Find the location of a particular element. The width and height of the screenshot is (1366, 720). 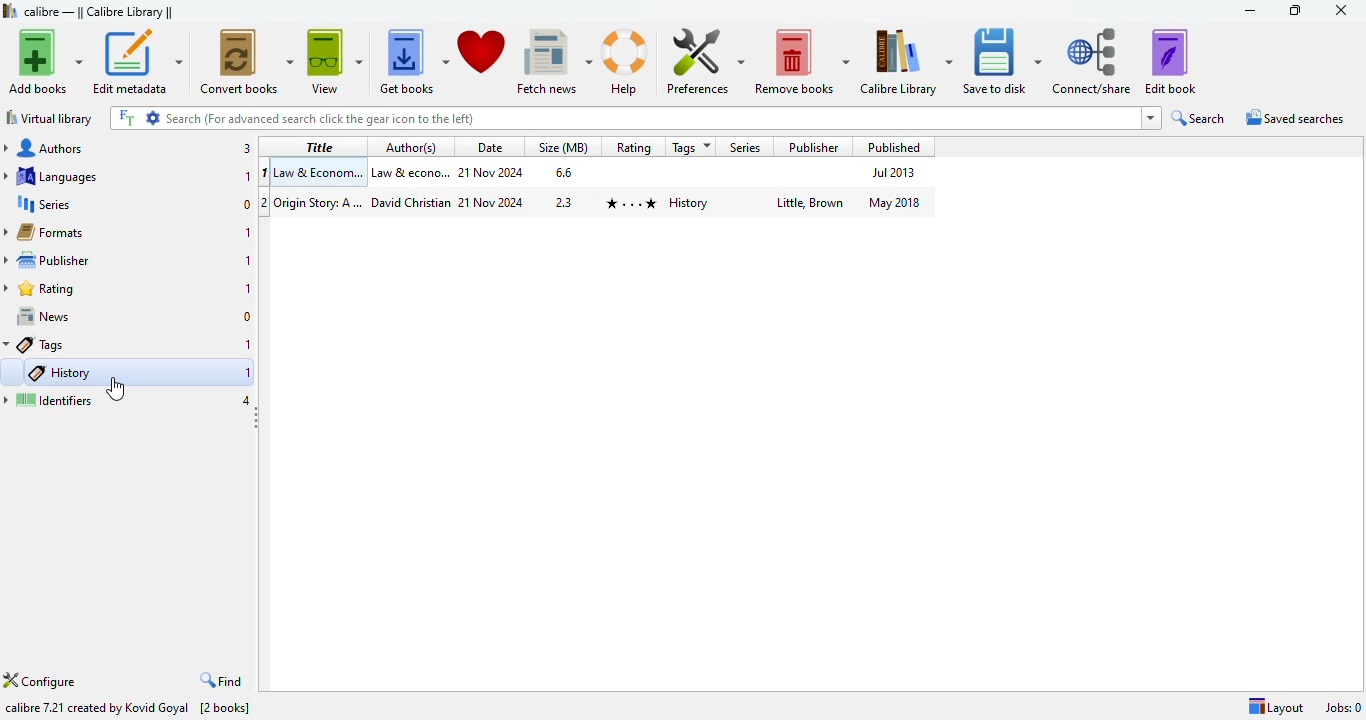

Tags is located at coordinates (36, 345).